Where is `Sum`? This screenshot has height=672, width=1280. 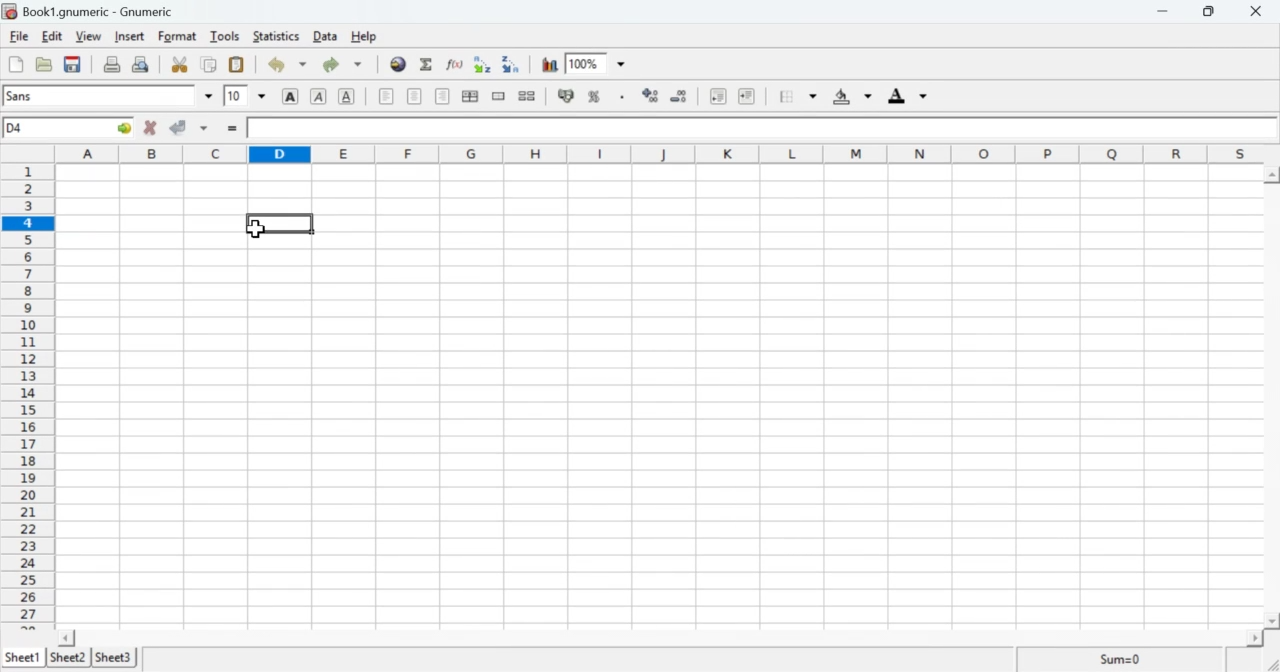 Sum is located at coordinates (428, 65).